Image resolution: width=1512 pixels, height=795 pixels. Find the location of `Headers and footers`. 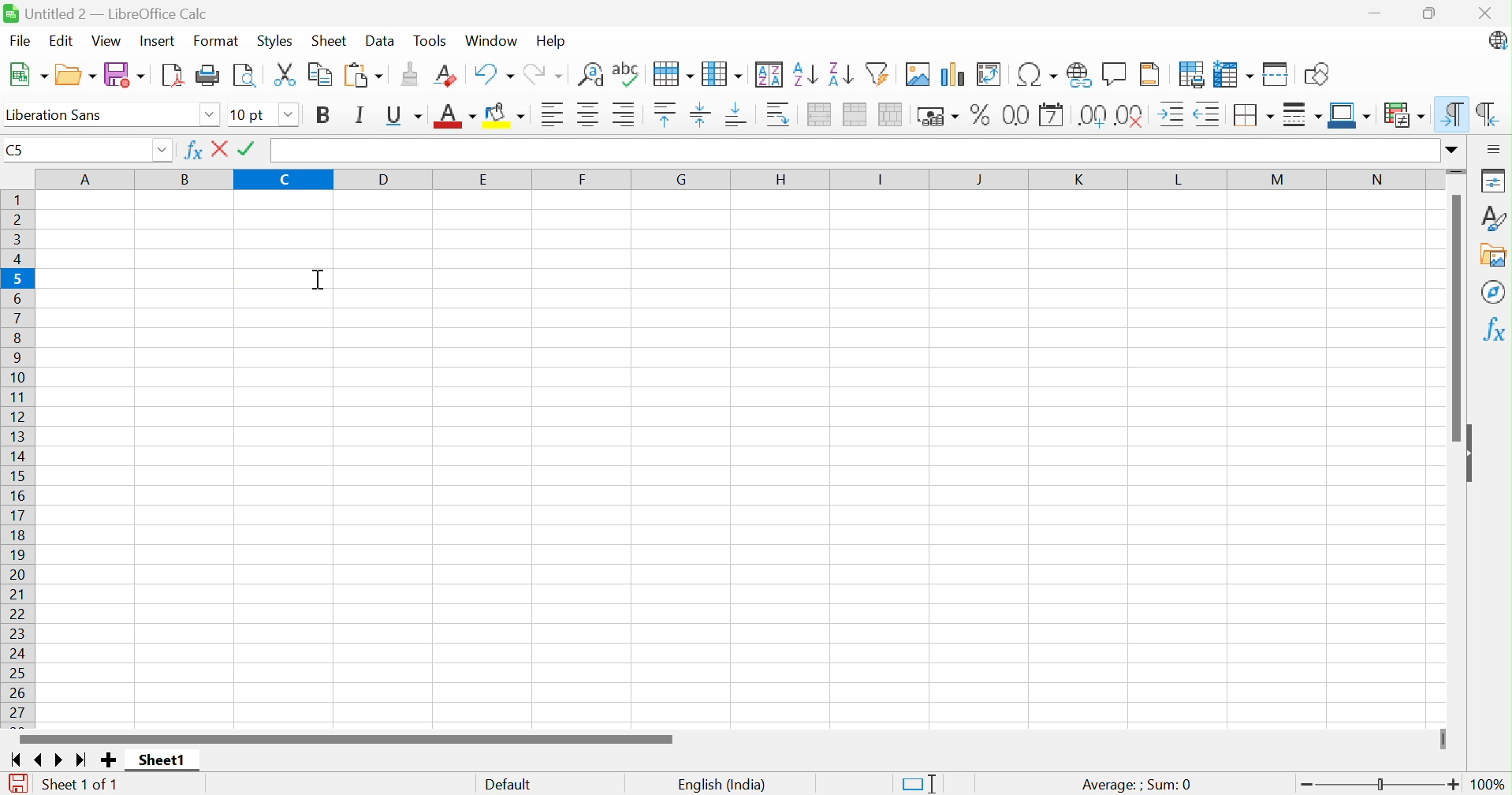

Headers and footers is located at coordinates (1150, 73).